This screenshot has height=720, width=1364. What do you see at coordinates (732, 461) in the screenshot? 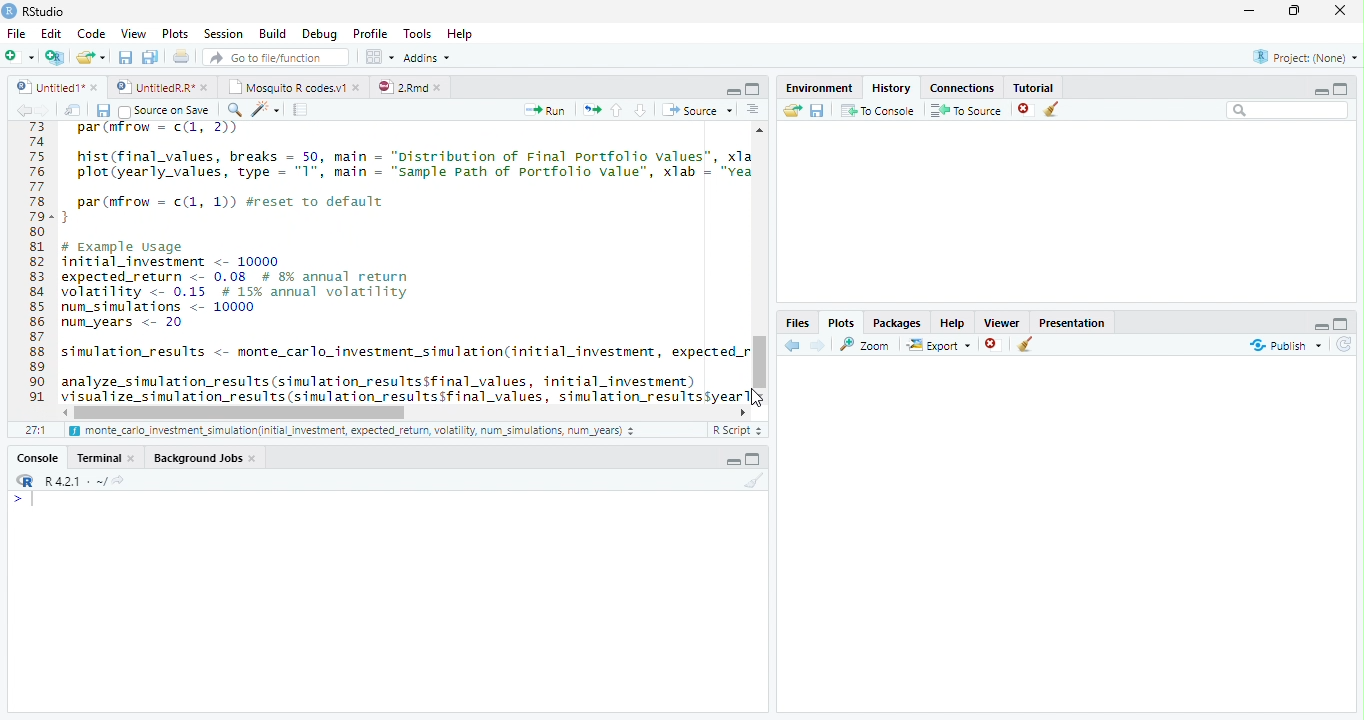
I see `Hide` at bounding box center [732, 461].